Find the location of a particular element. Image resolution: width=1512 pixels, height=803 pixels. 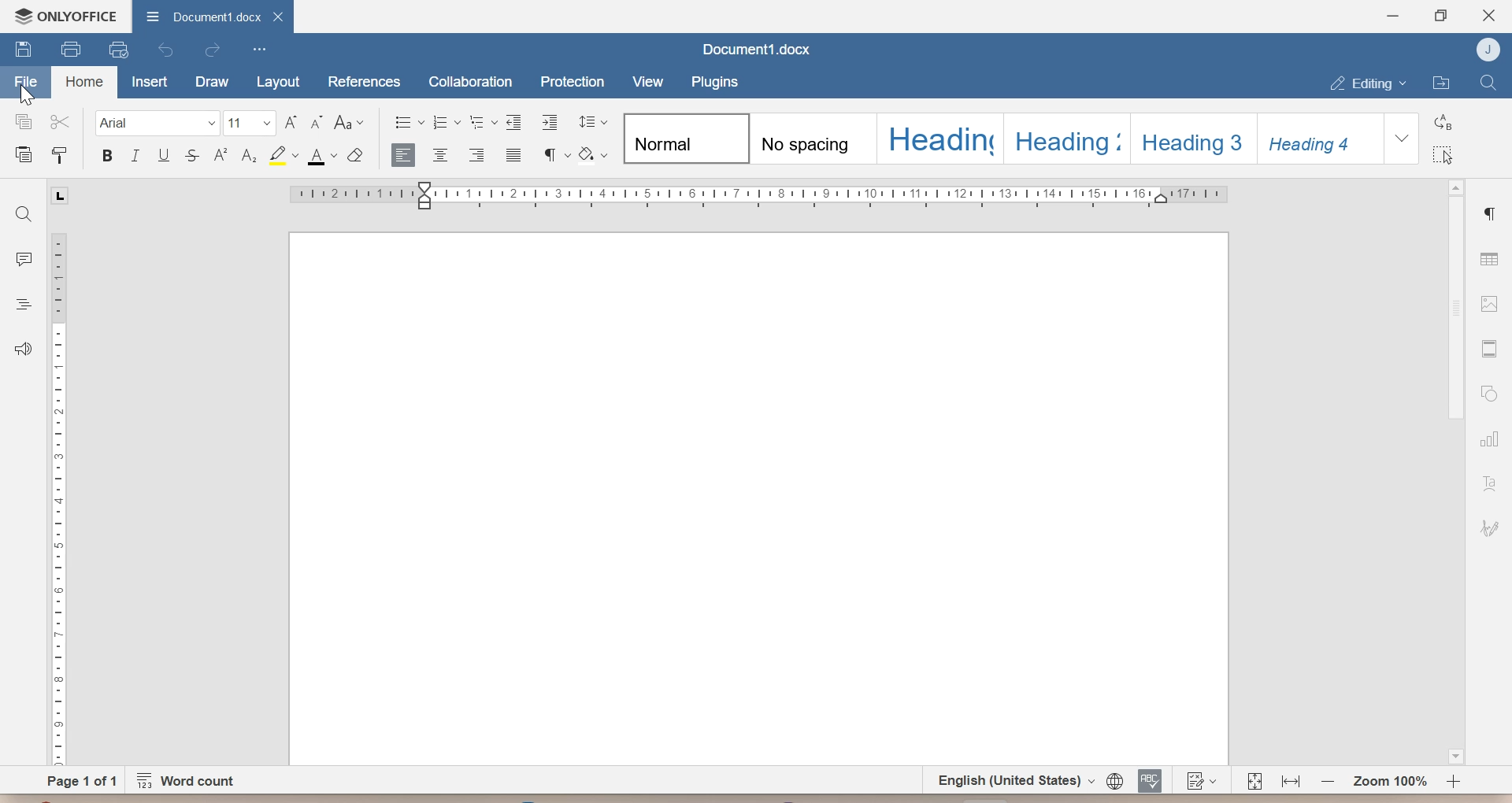

Track changes is located at coordinates (1199, 780).